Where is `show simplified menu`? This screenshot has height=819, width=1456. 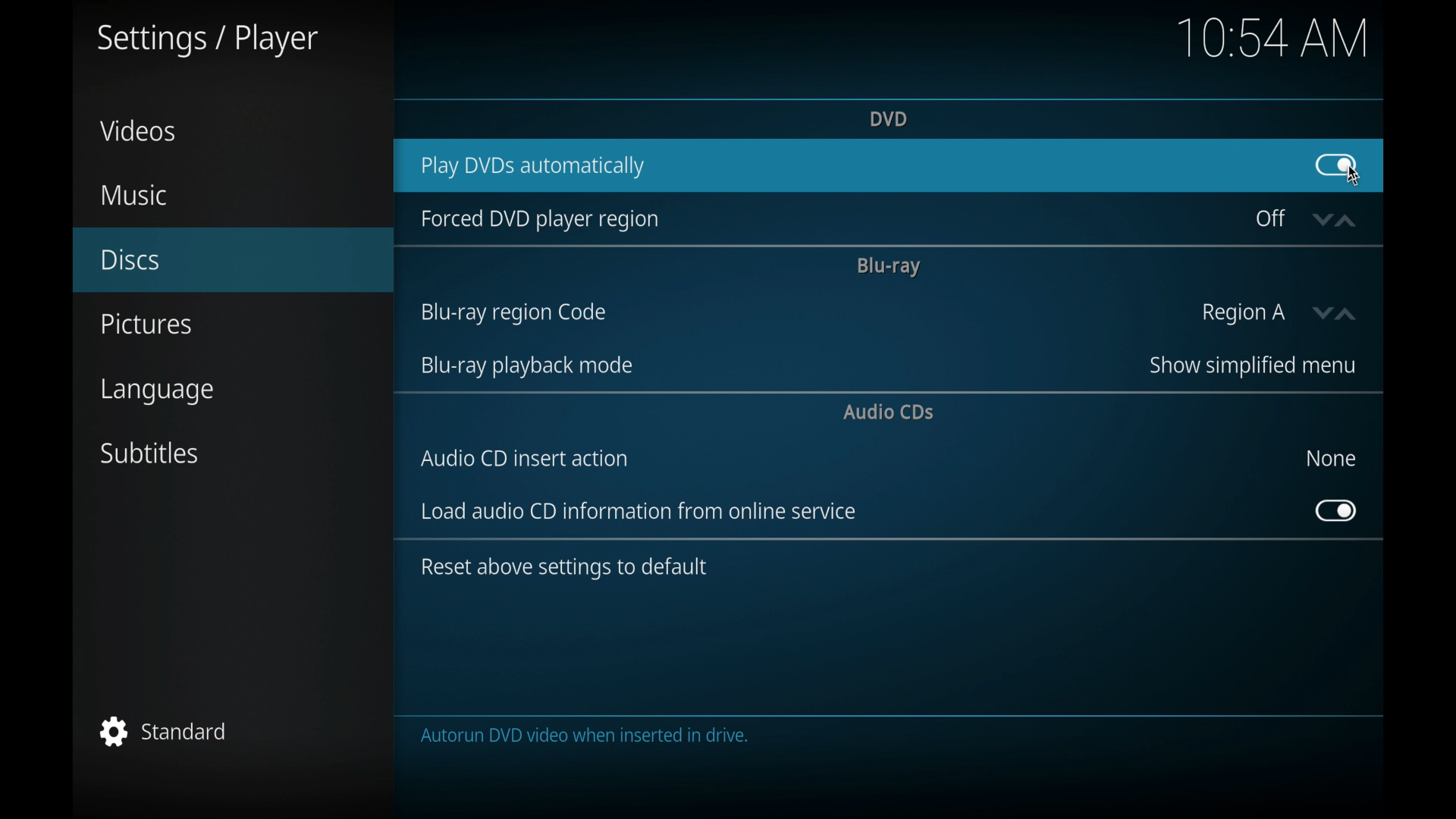
show simplified menu is located at coordinates (1250, 366).